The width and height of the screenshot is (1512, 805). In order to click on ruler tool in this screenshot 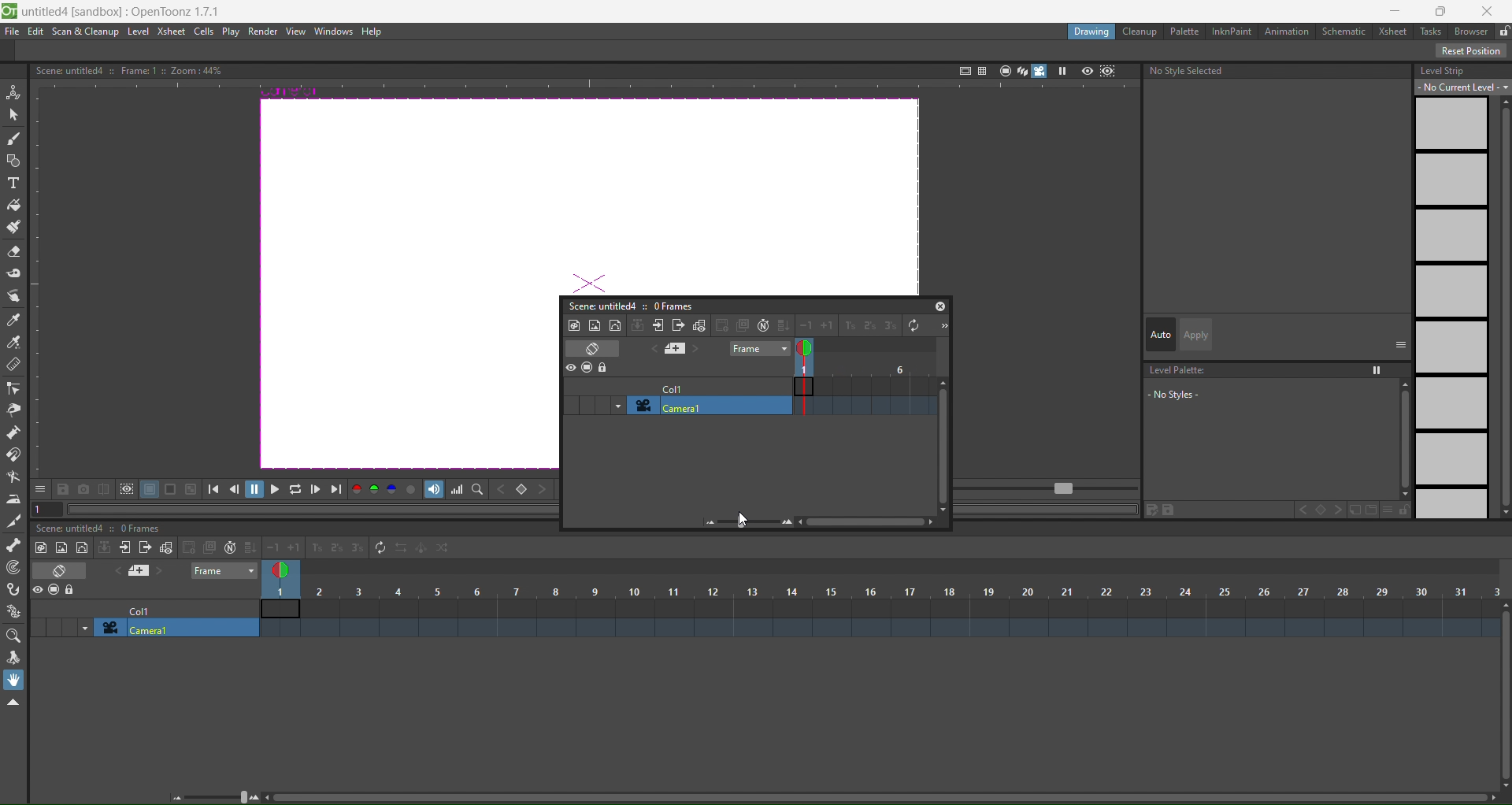, I will do `click(12, 364)`.